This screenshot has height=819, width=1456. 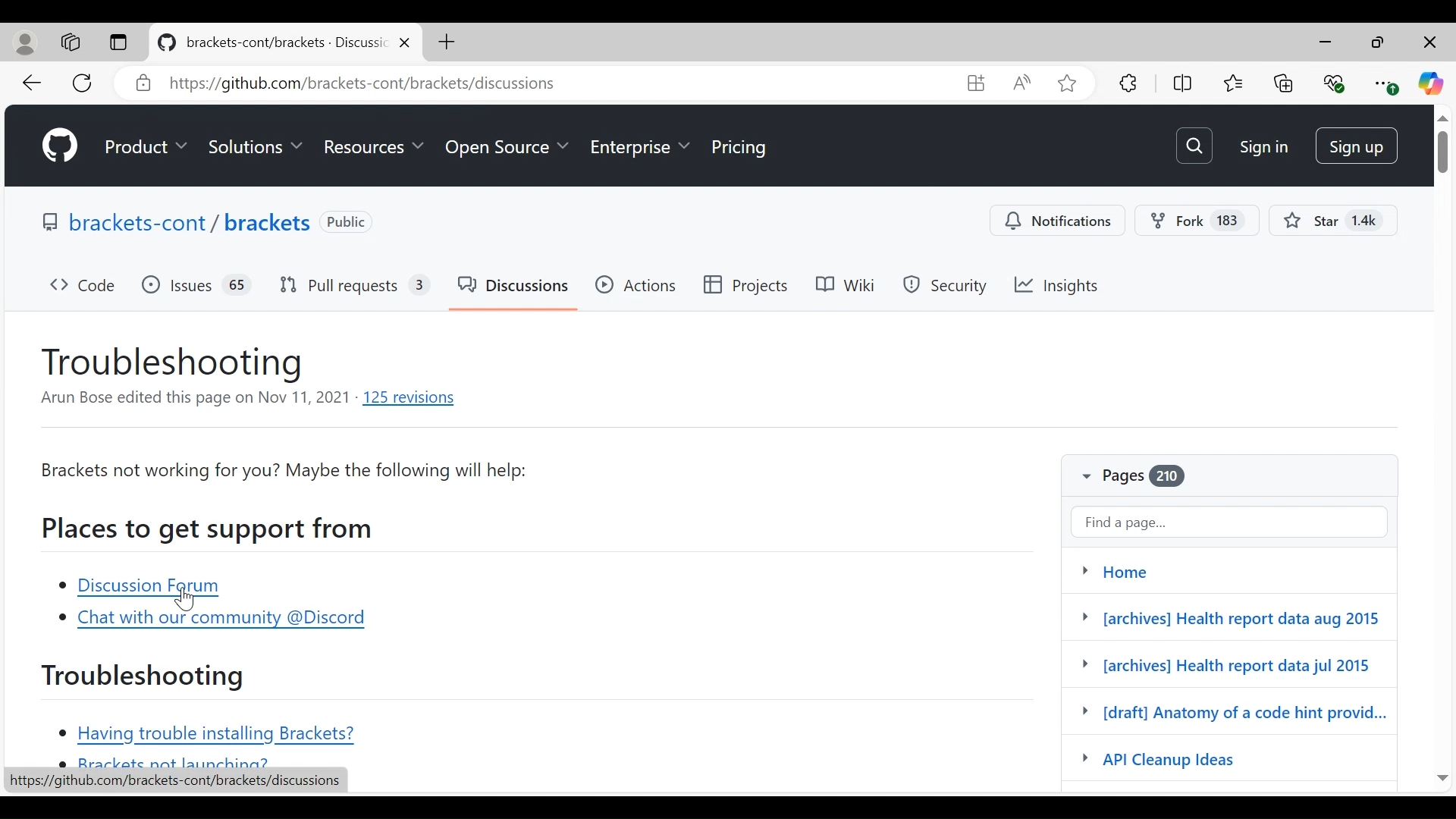 I want to click on Github Icon, so click(x=62, y=146).